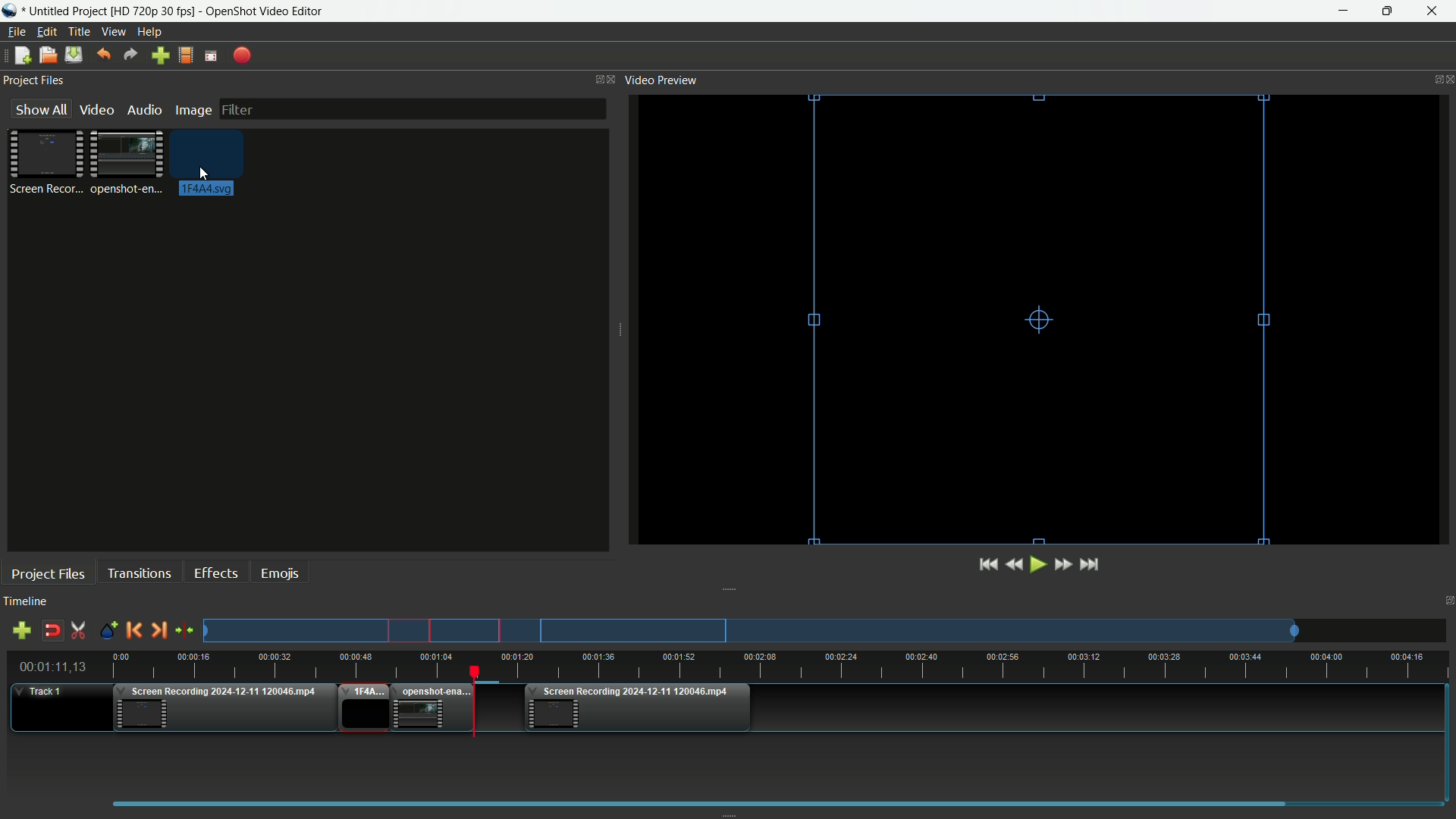 This screenshot has height=819, width=1456. I want to click on Create markers, so click(104, 631).